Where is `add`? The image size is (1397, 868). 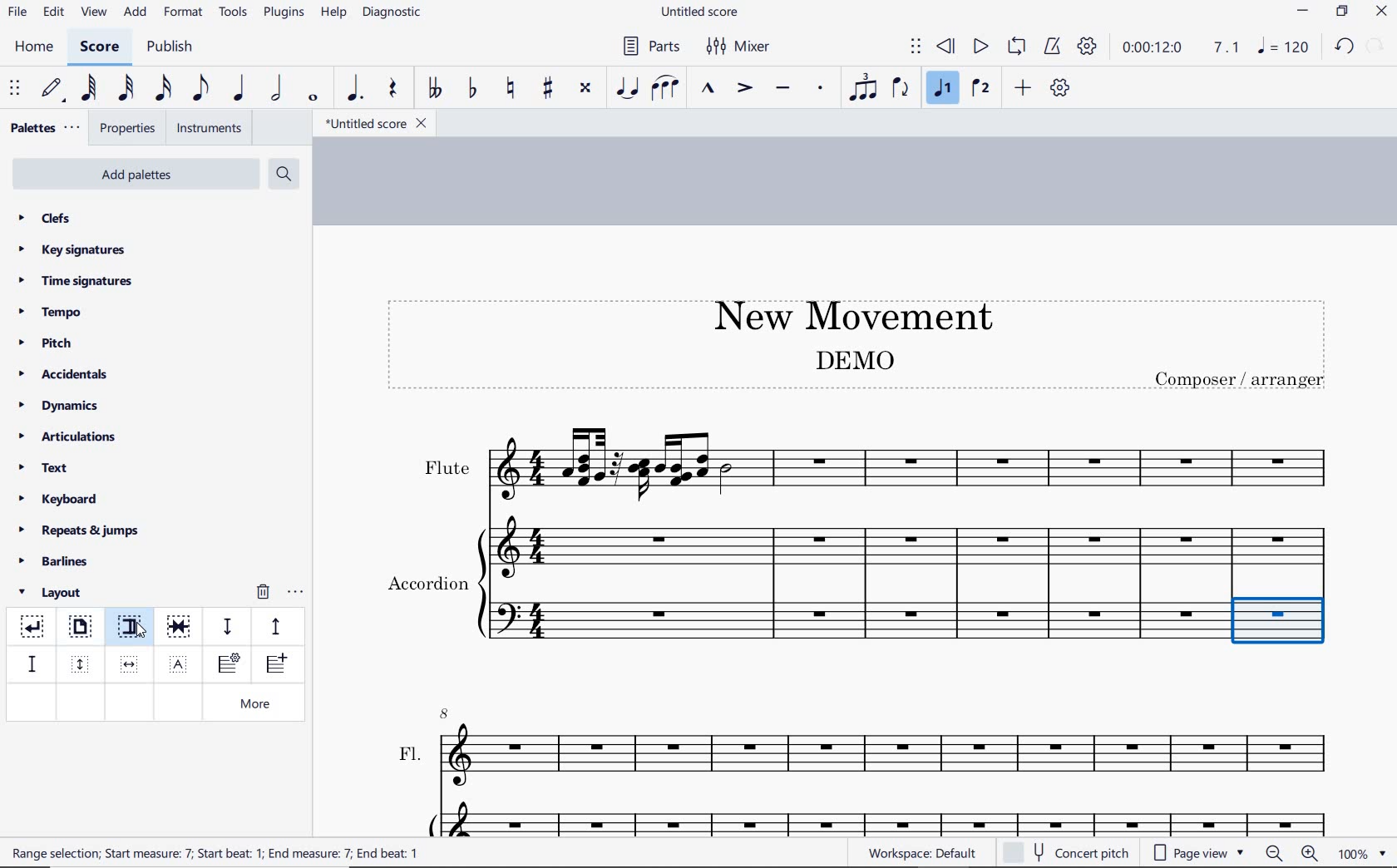 add is located at coordinates (1025, 87).